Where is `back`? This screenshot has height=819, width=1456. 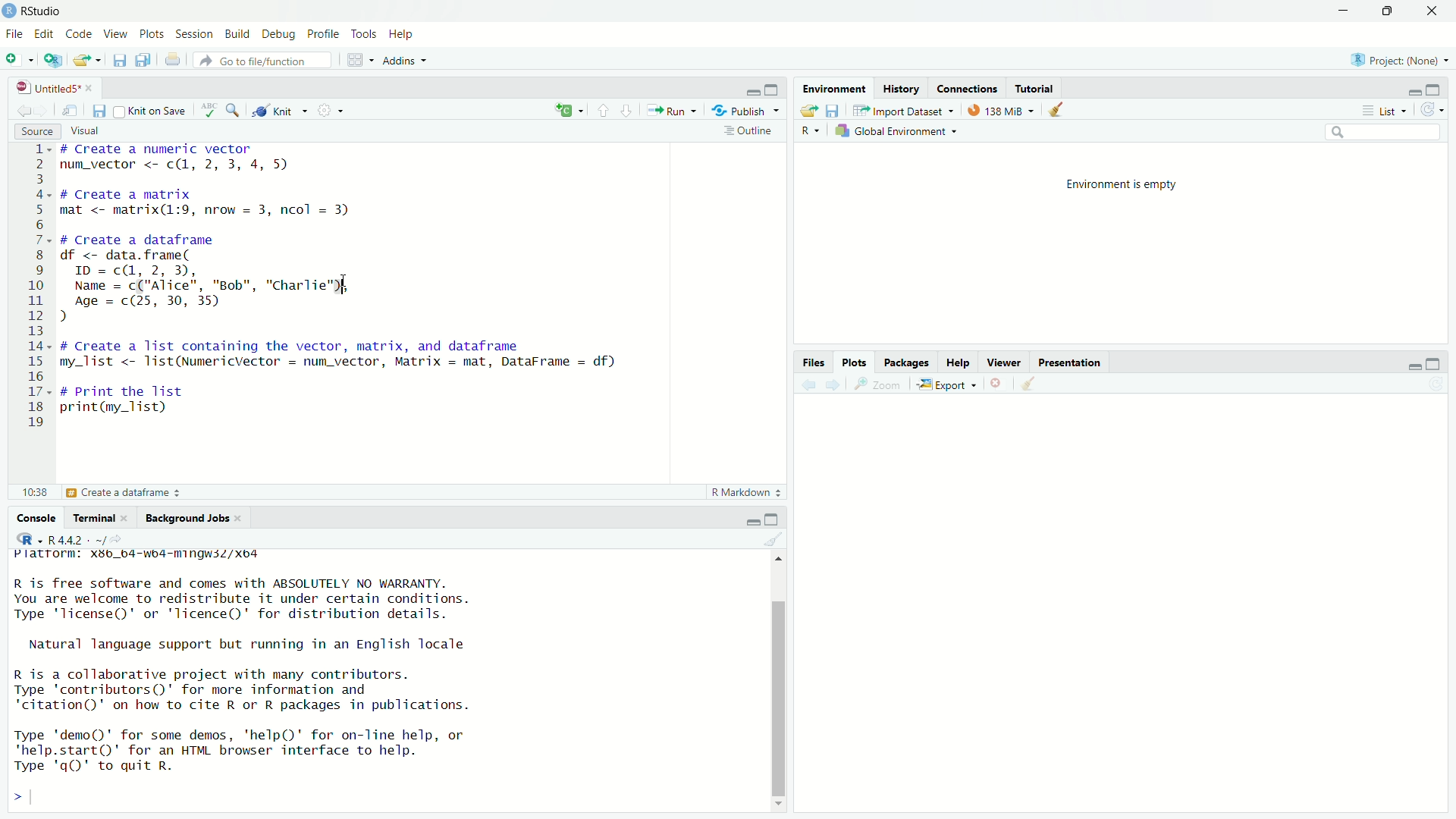 back is located at coordinates (810, 388).